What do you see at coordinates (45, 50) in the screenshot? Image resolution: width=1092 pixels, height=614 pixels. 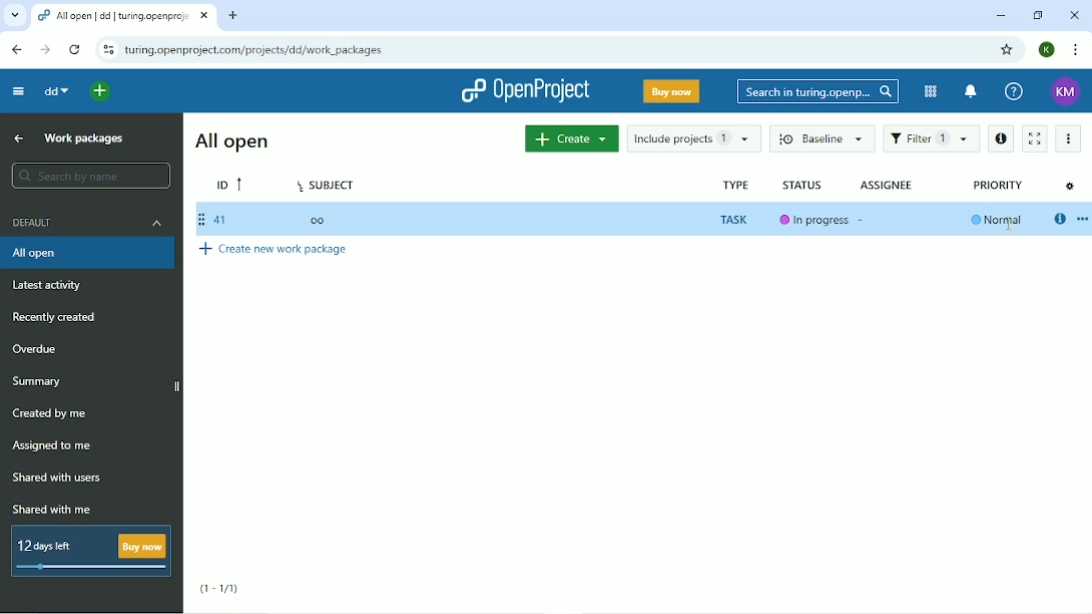 I see `Forward` at bounding box center [45, 50].